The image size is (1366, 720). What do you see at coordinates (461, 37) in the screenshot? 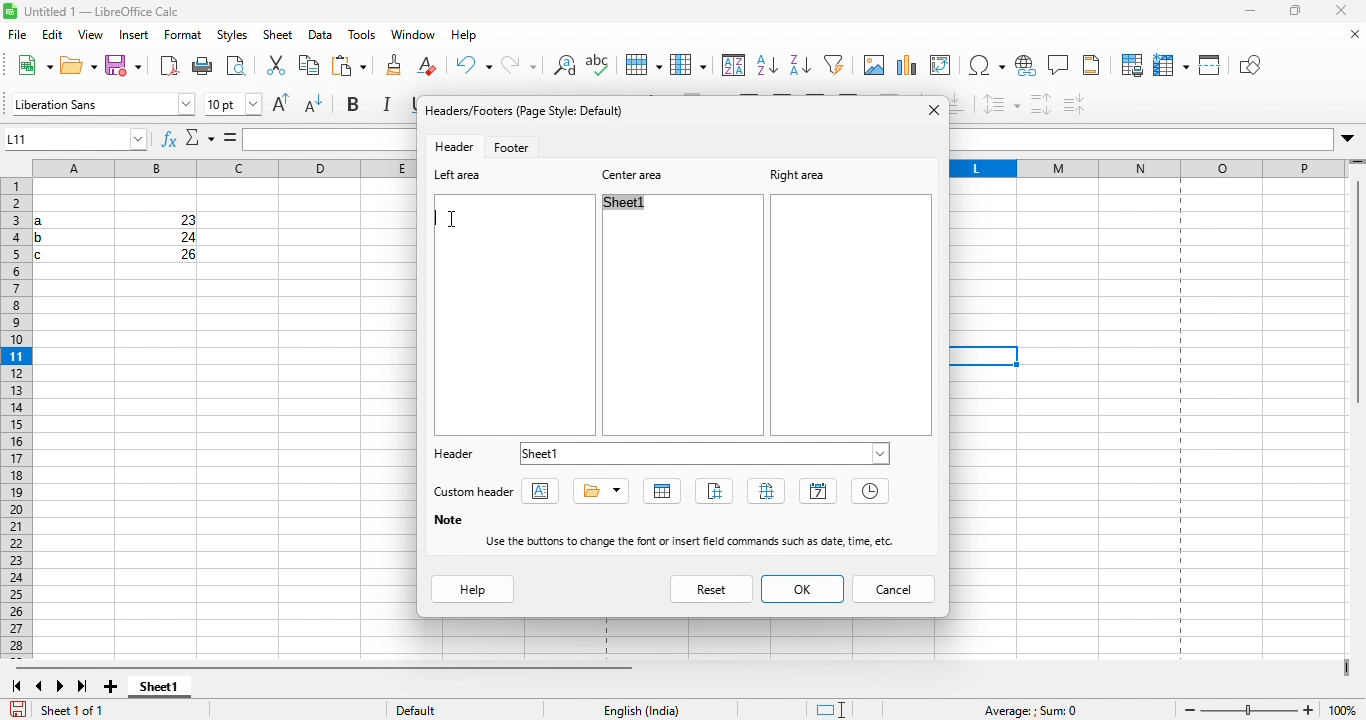
I see `help` at bounding box center [461, 37].